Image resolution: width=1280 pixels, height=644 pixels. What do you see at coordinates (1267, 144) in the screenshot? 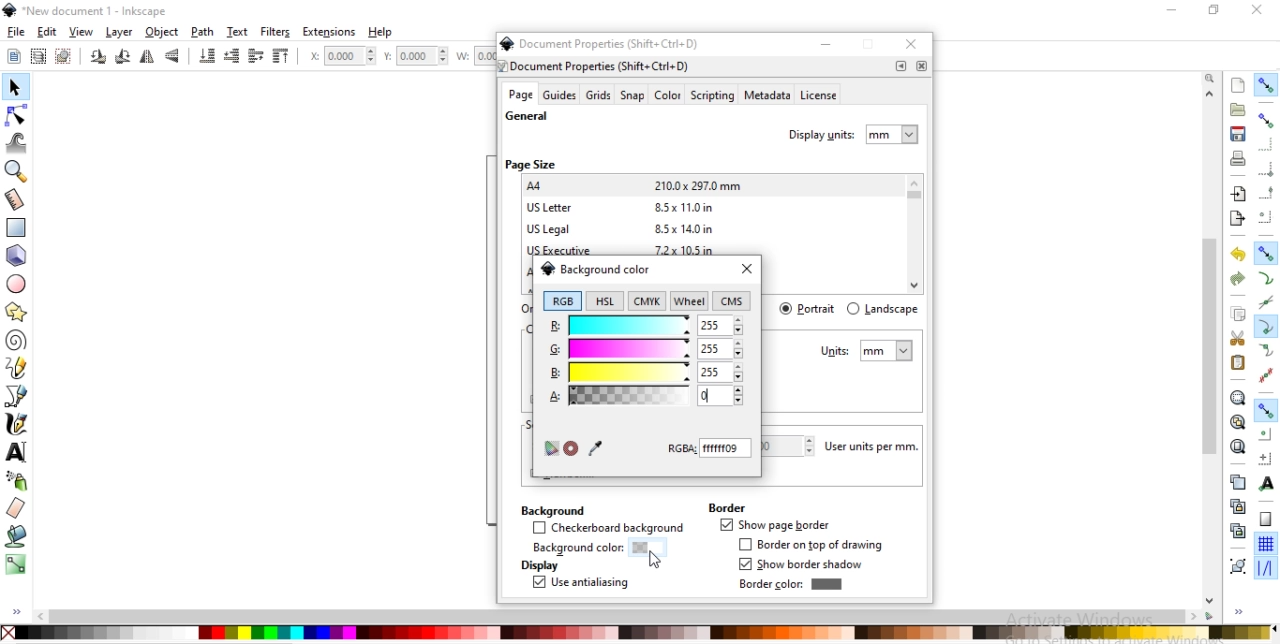
I see `snap to edges of bounding box` at bounding box center [1267, 144].